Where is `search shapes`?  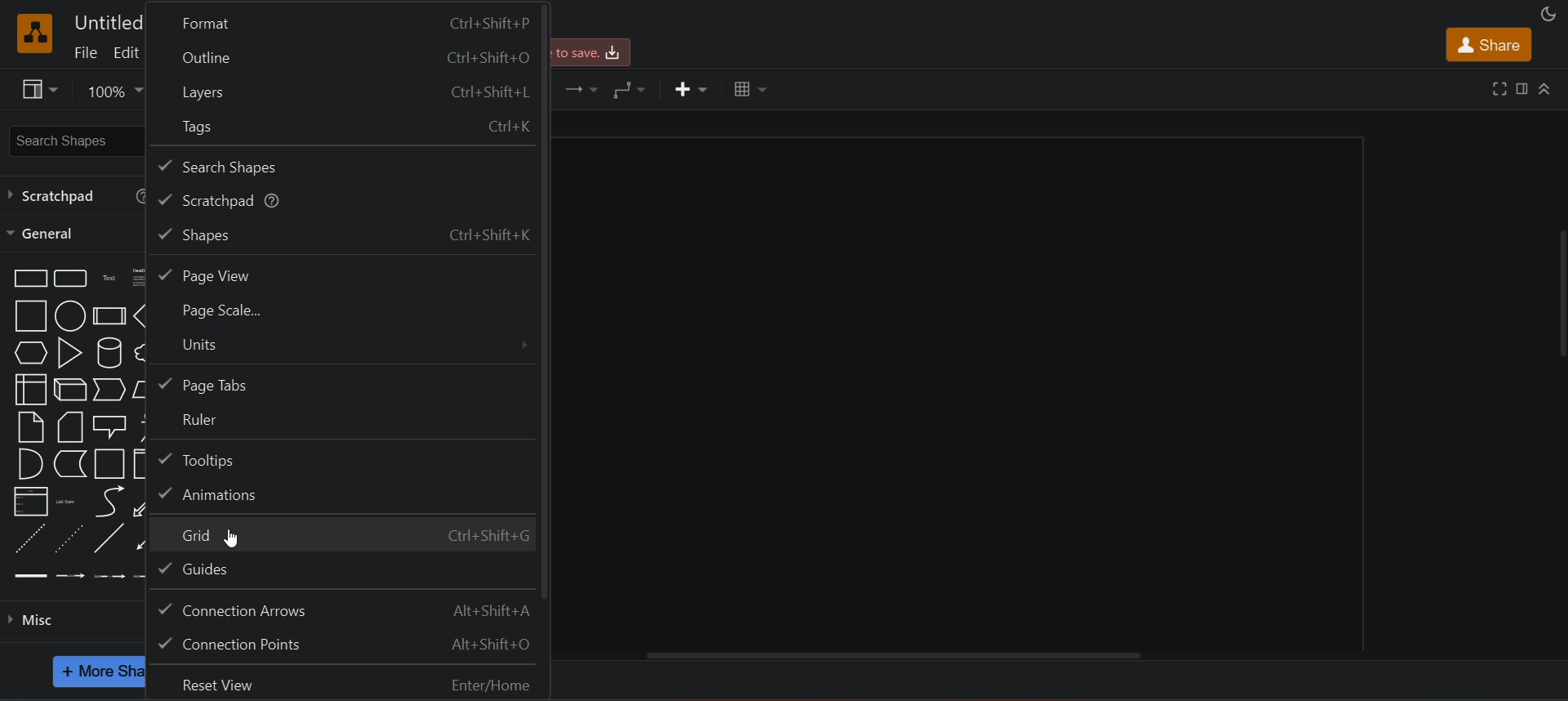 search shapes is located at coordinates (349, 167).